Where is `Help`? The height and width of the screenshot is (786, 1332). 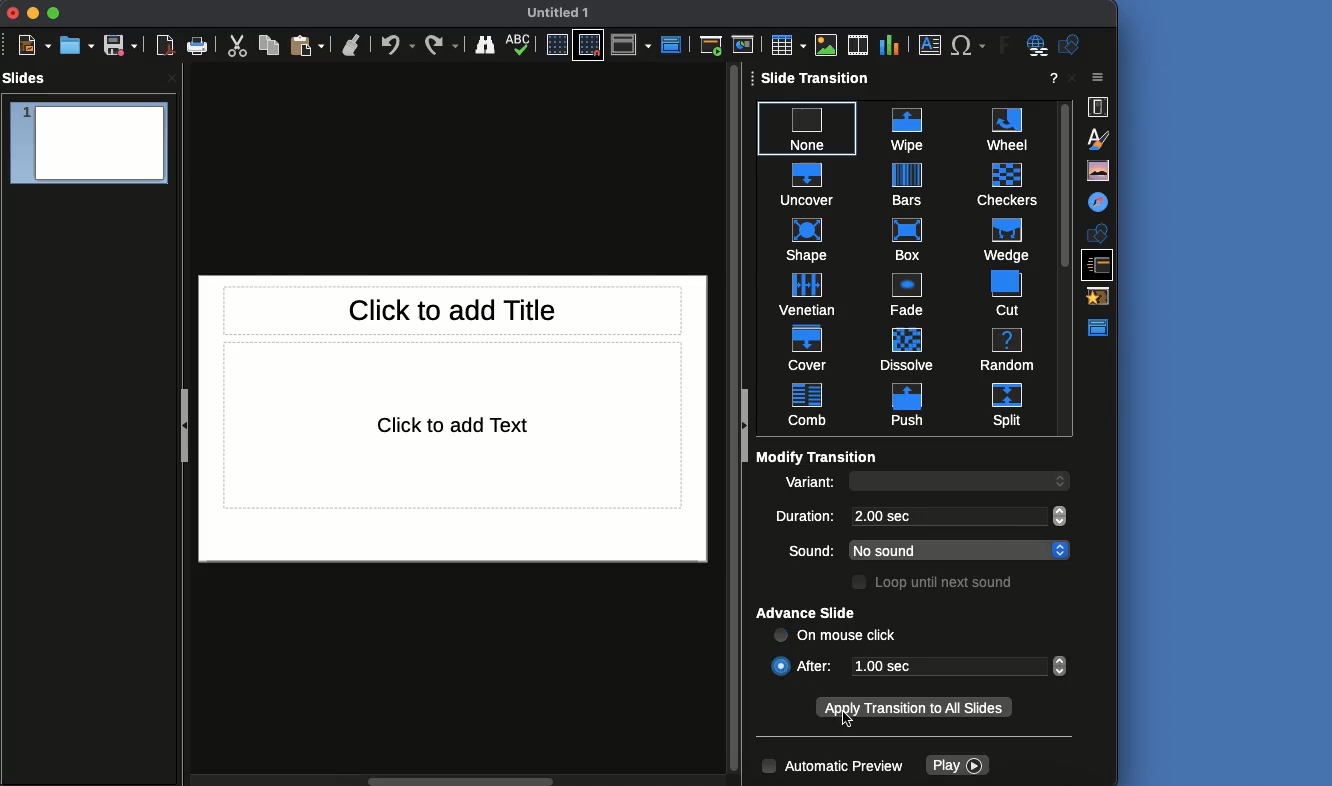 Help is located at coordinates (1051, 78).